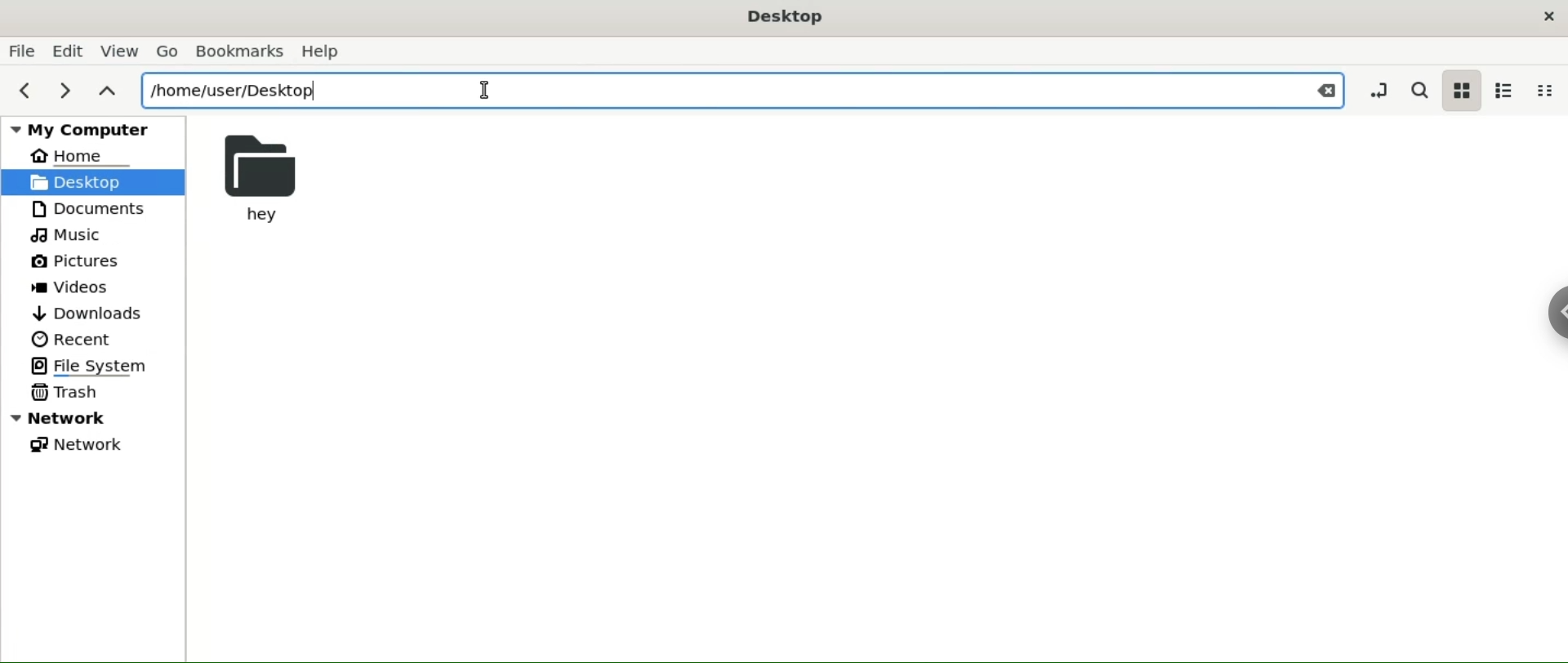  I want to click on list view, so click(1507, 88).